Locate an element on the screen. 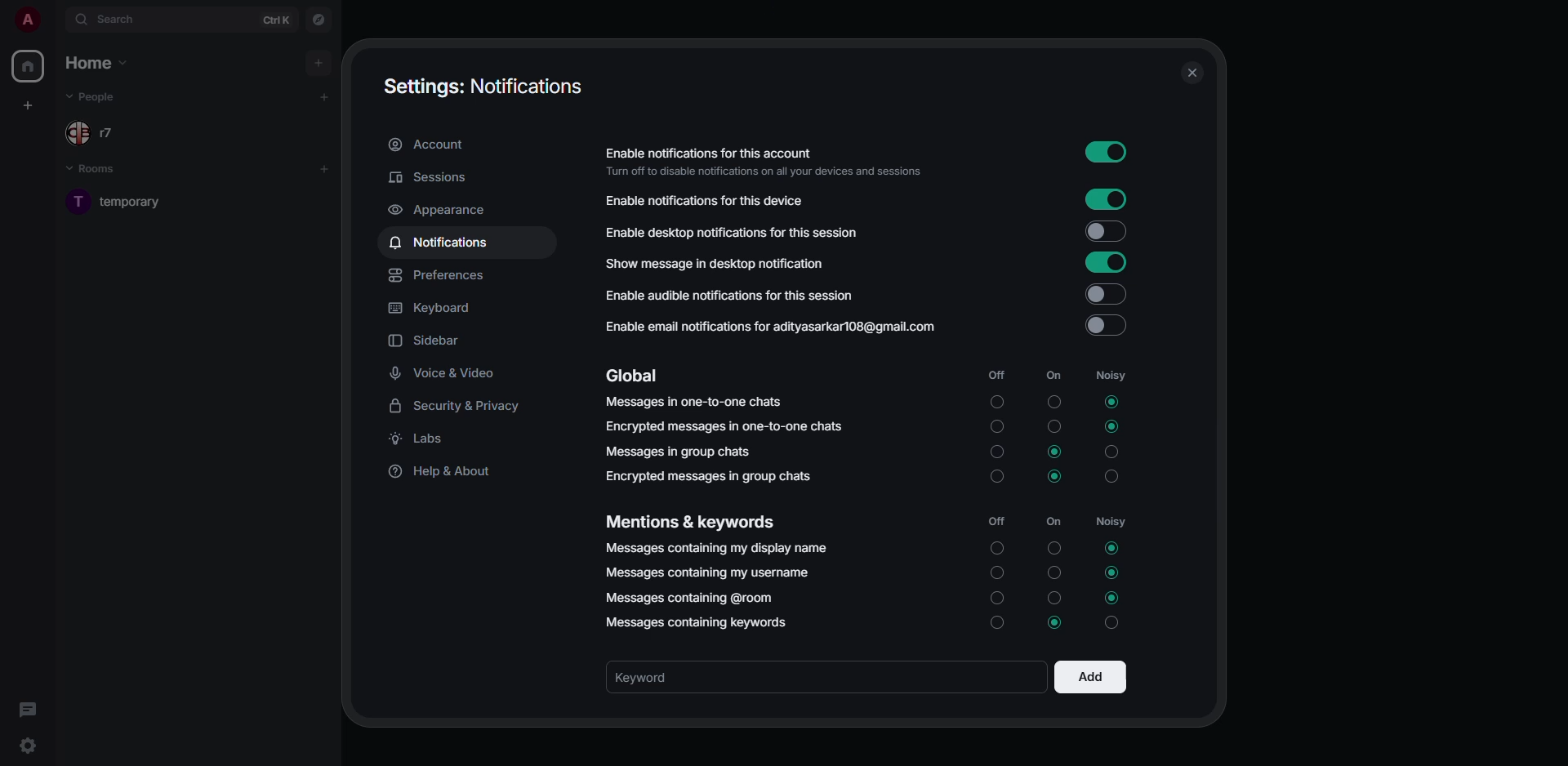  add is located at coordinates (322, 98).